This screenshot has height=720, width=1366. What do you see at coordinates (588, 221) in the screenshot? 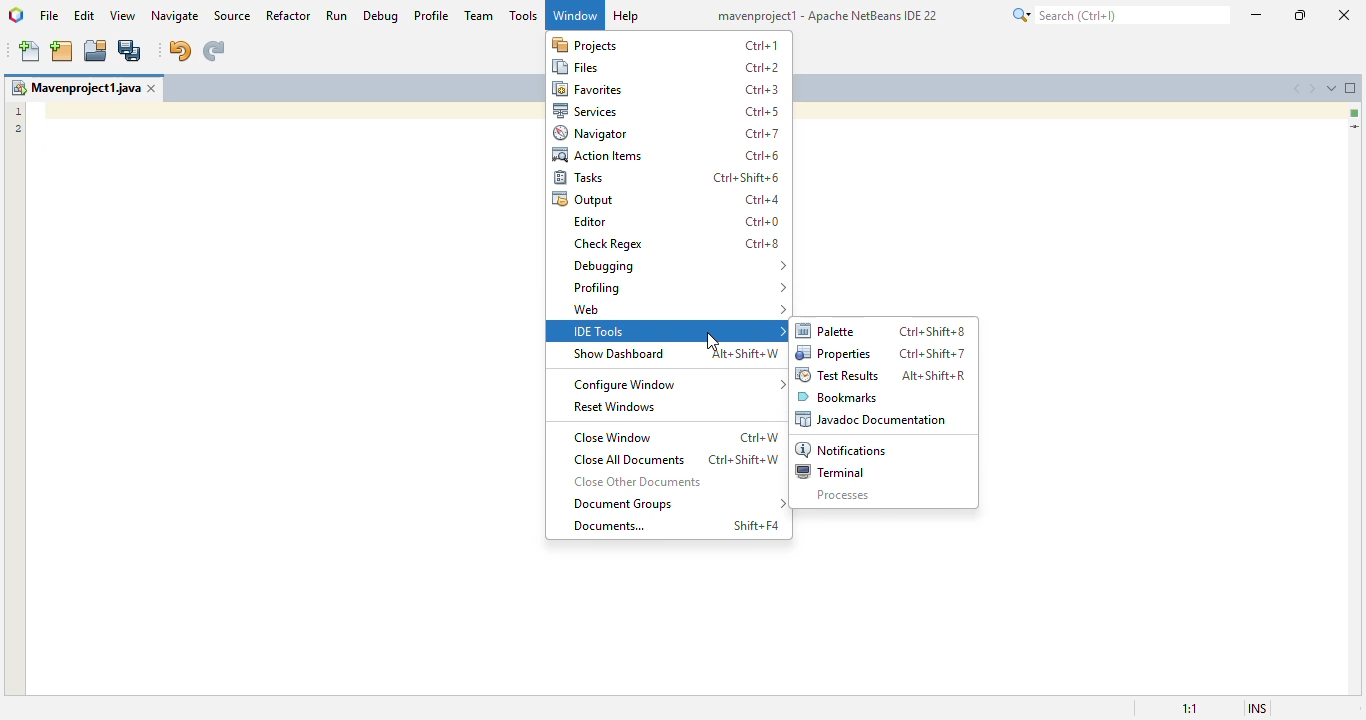
I see `editor` at bounding box center [588, 221].